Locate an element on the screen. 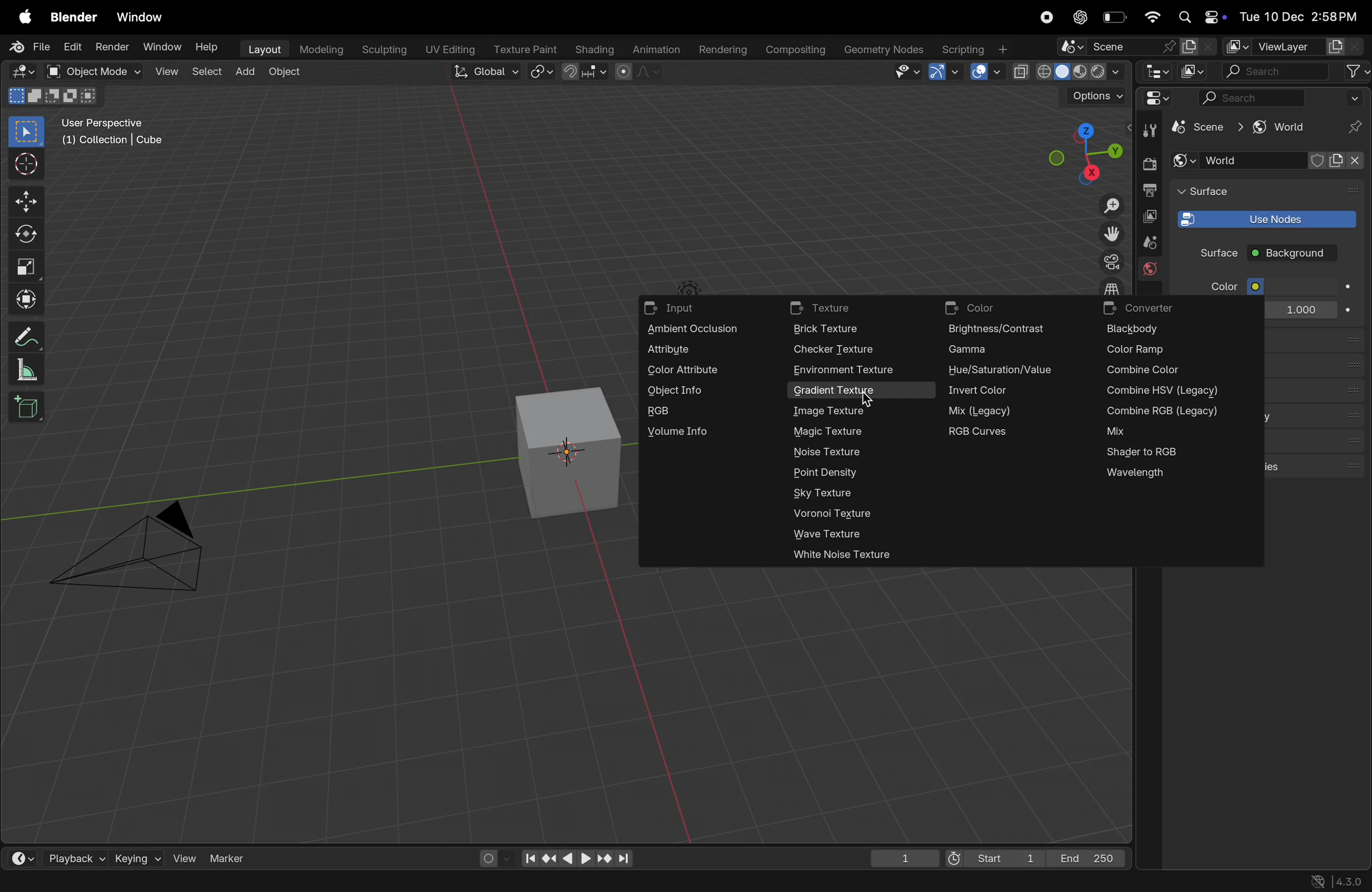  Filter is located at coordinates (1356, 97).